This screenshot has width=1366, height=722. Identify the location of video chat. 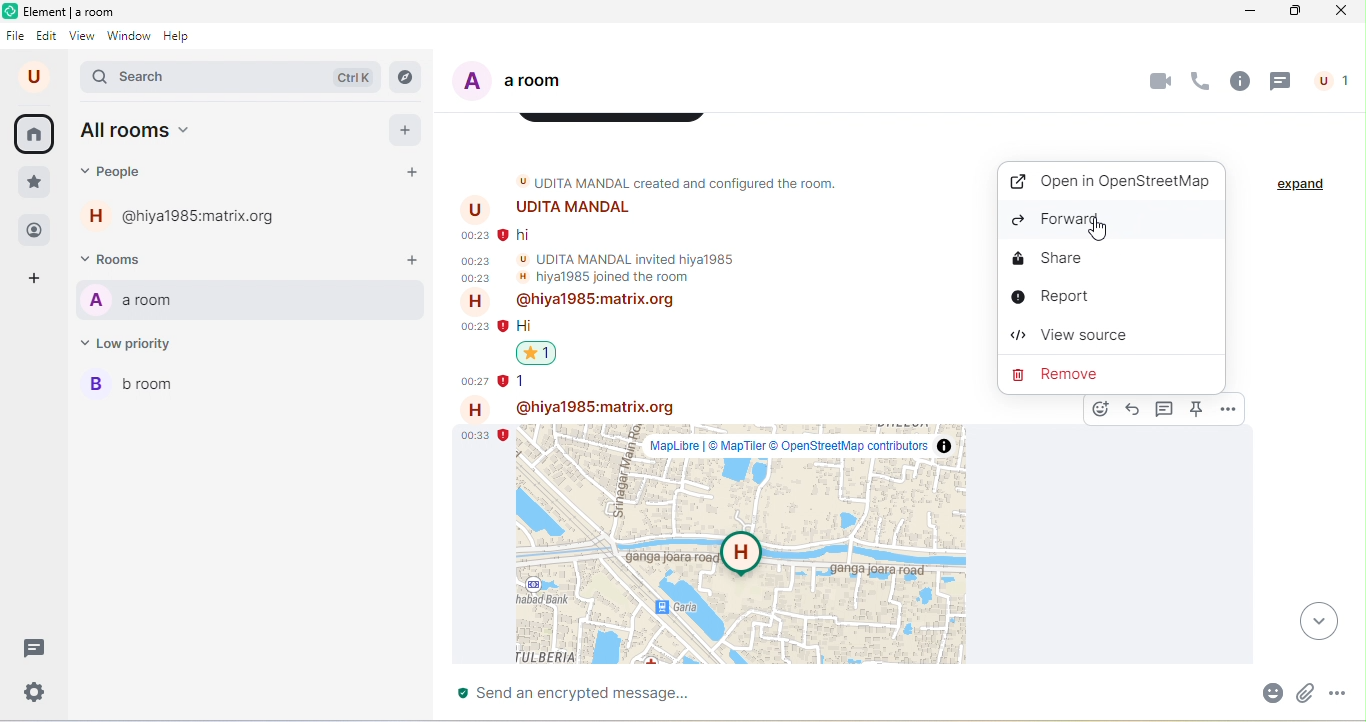
(1165, 81).